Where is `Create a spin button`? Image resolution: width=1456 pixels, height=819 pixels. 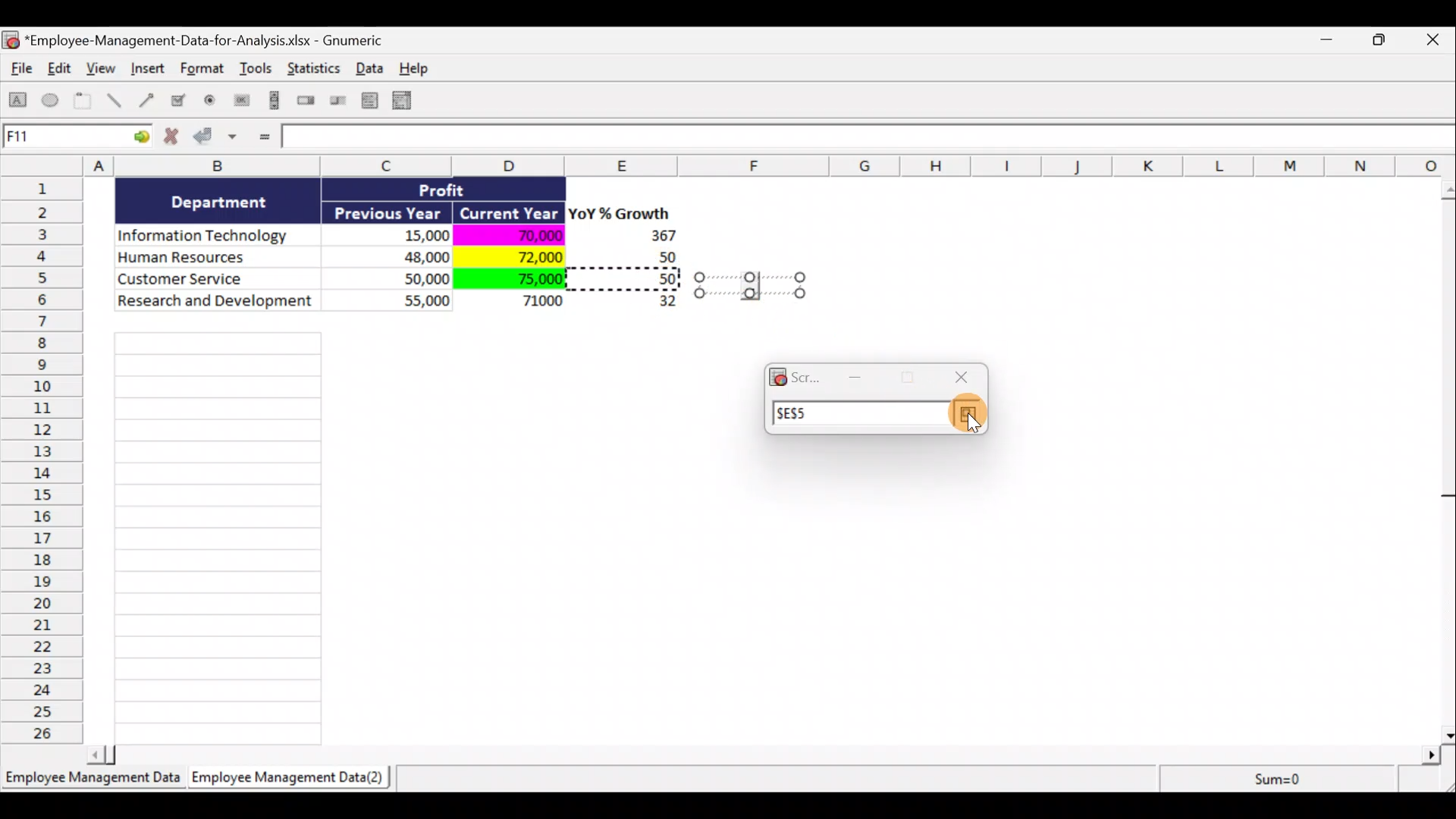 Create a spin button is located at coordinates (307, 102).